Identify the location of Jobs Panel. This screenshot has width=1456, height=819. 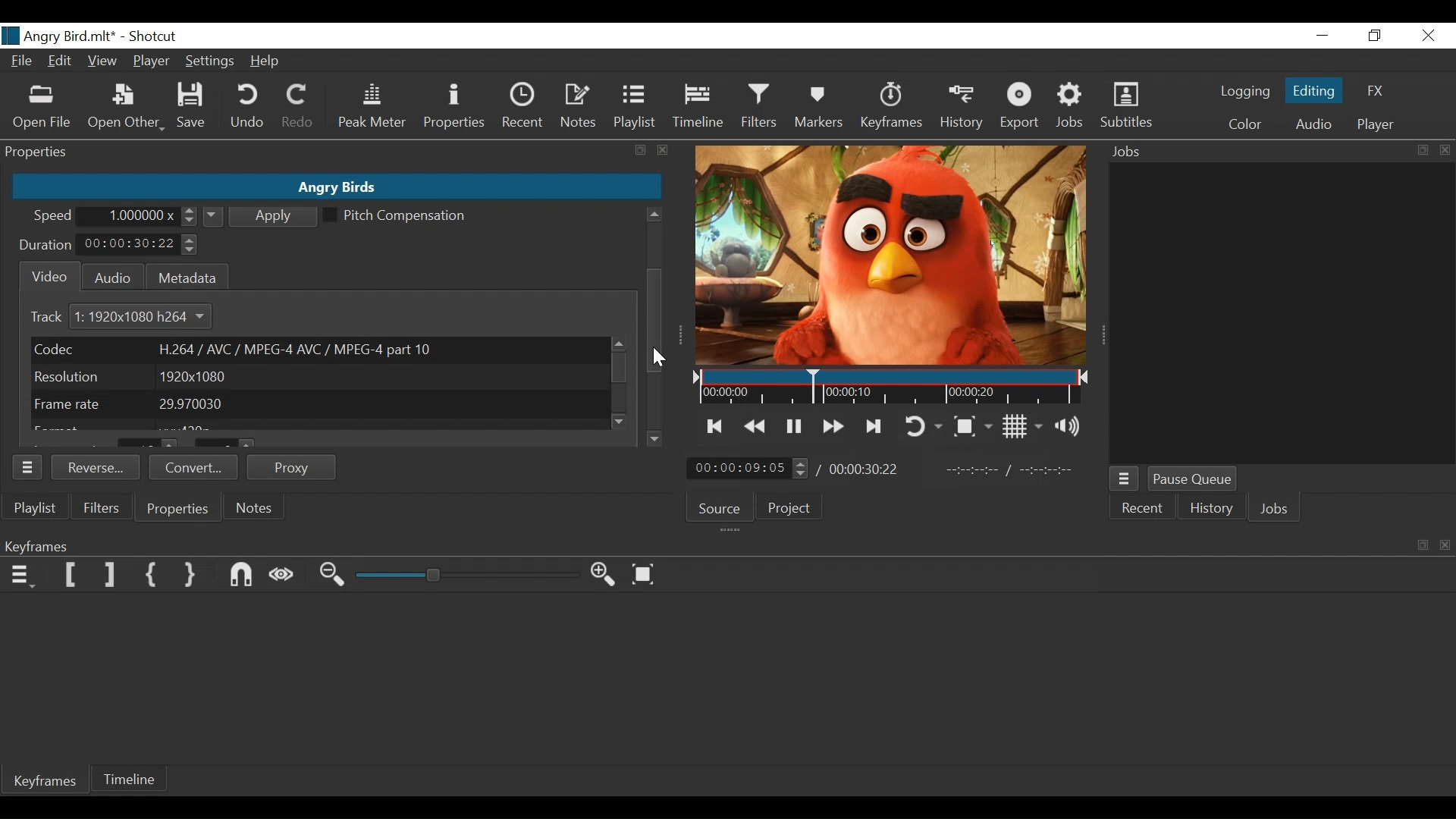
(1285, 314).